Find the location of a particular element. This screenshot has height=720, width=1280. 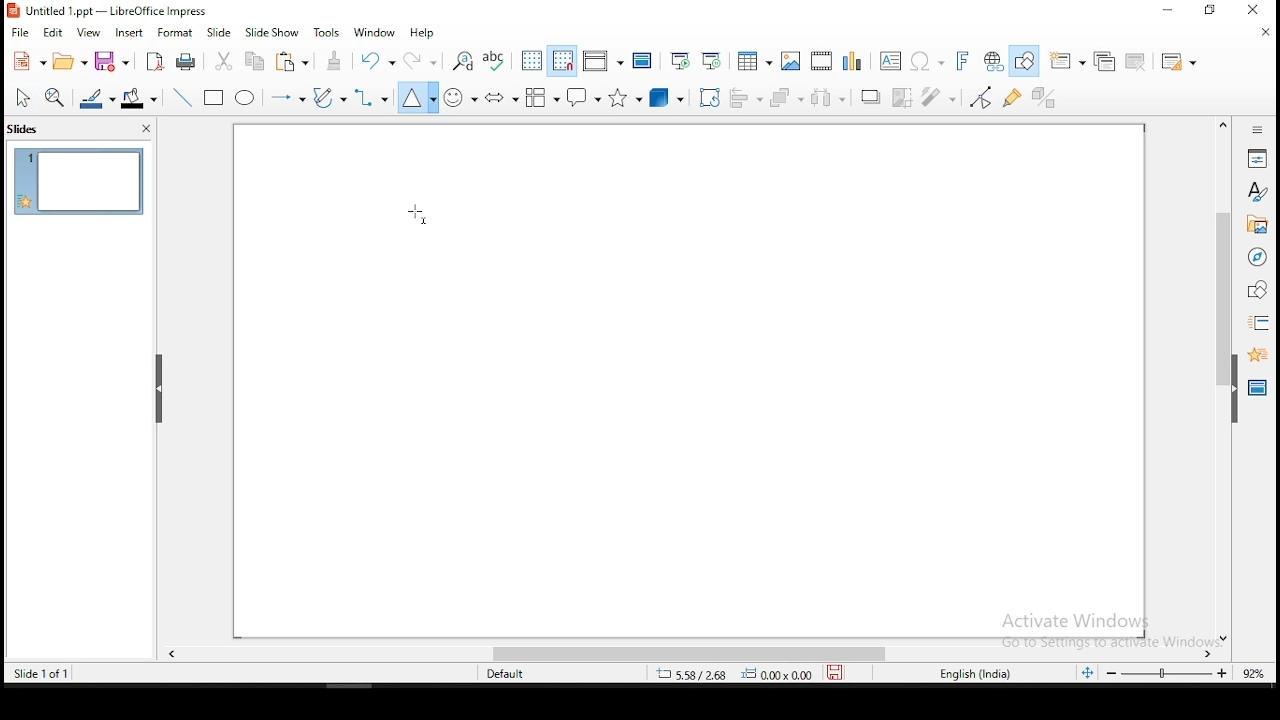

zoom and pan is located at coordinates (58, 97).